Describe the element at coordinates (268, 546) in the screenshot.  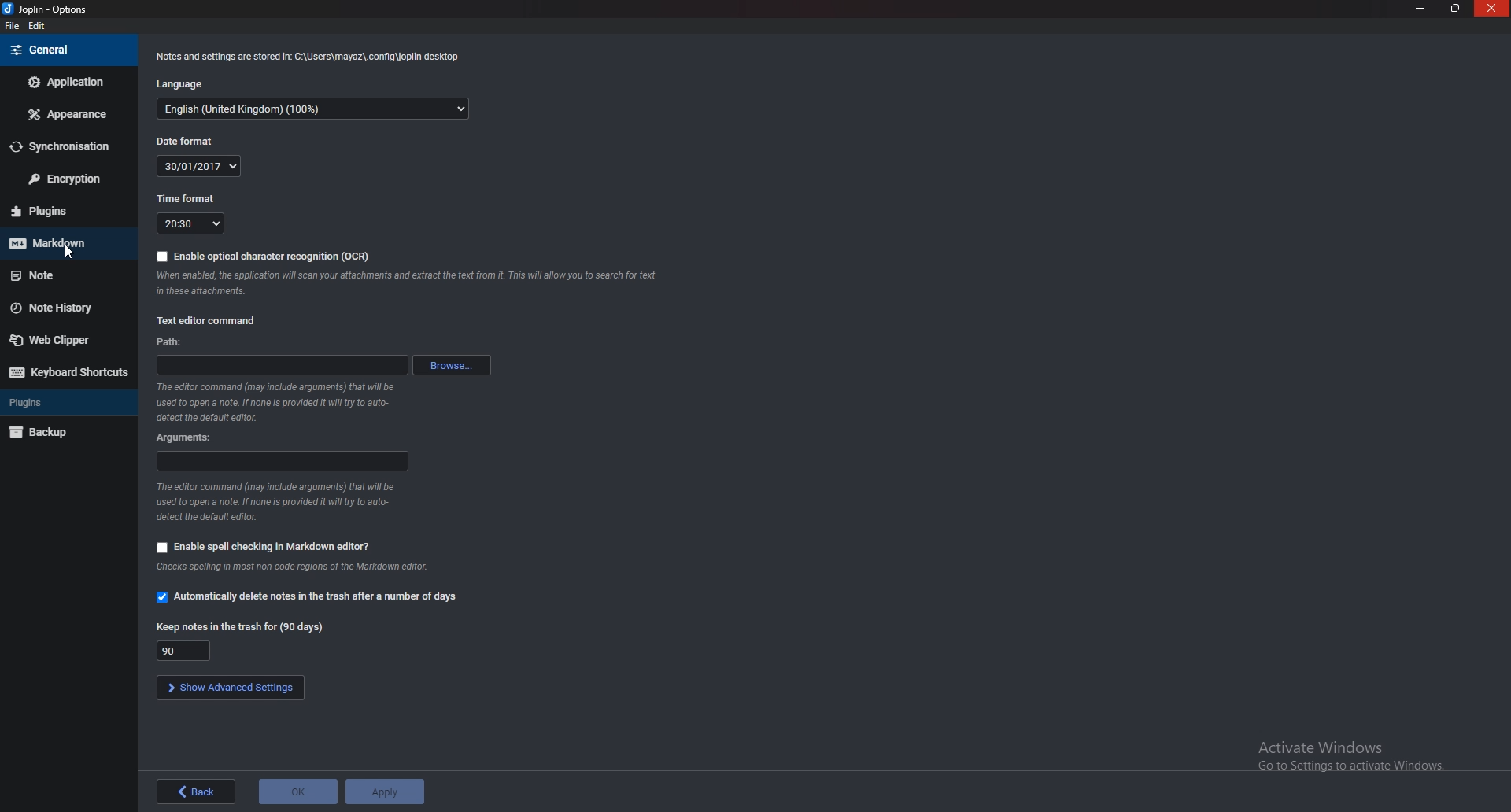
I see `enable spell checking` at that location.